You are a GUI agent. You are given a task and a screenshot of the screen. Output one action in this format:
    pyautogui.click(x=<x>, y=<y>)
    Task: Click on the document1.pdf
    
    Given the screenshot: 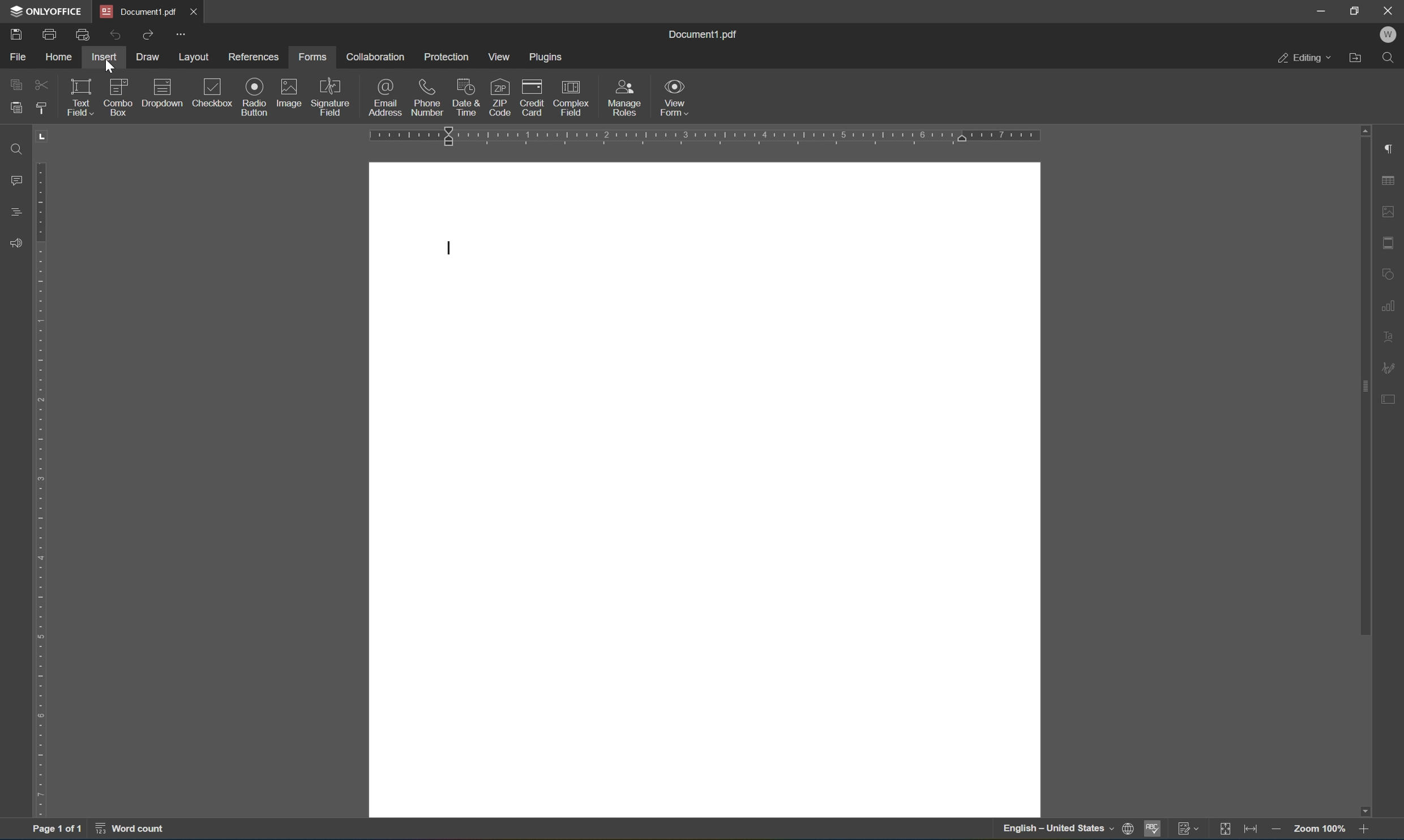 What is the action you would take?
    pyautogui.click(x=705, y=34)
    